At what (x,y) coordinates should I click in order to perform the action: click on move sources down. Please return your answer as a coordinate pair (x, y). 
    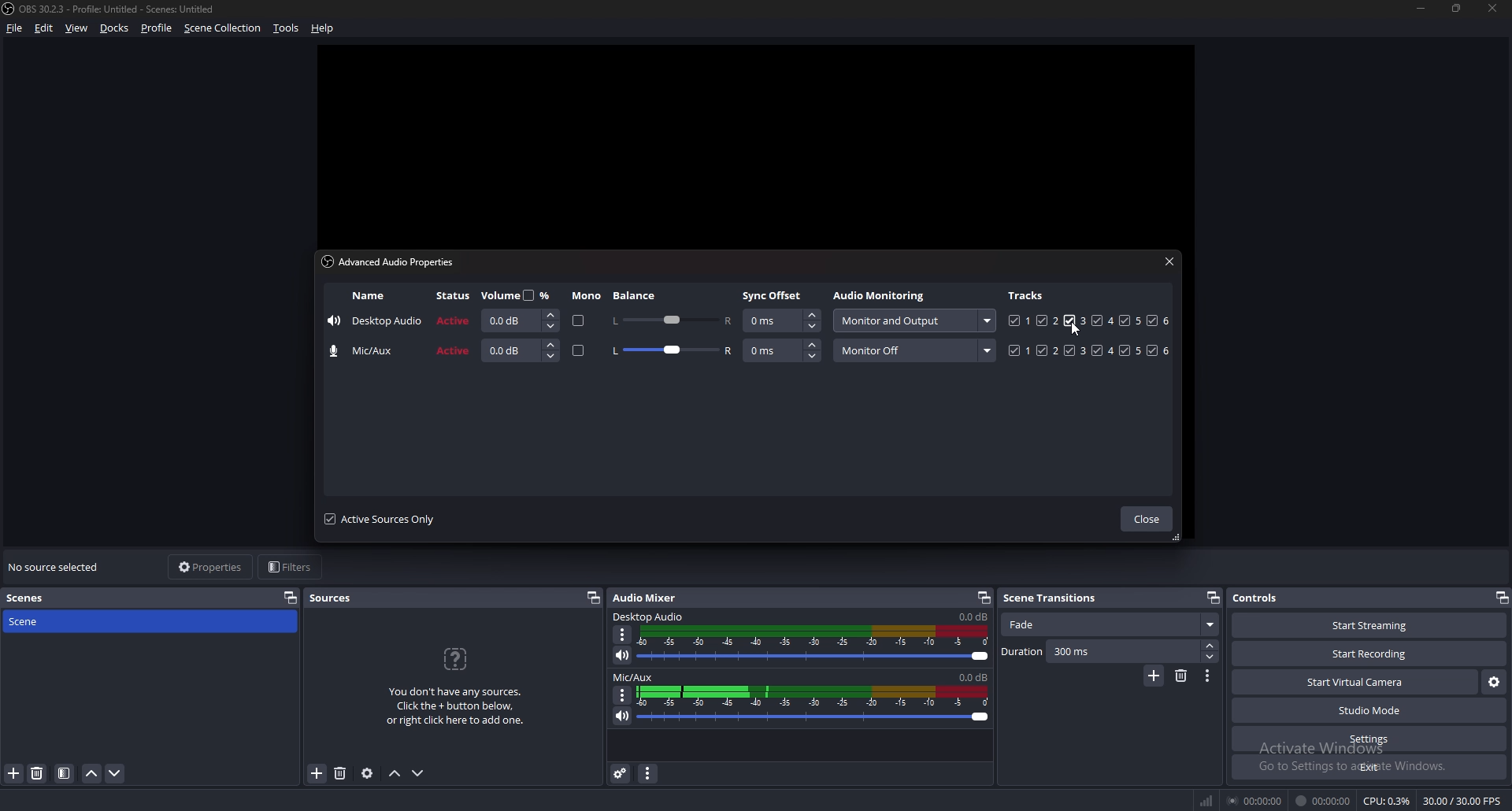
    Looking at the image, I should click on (419, 773).